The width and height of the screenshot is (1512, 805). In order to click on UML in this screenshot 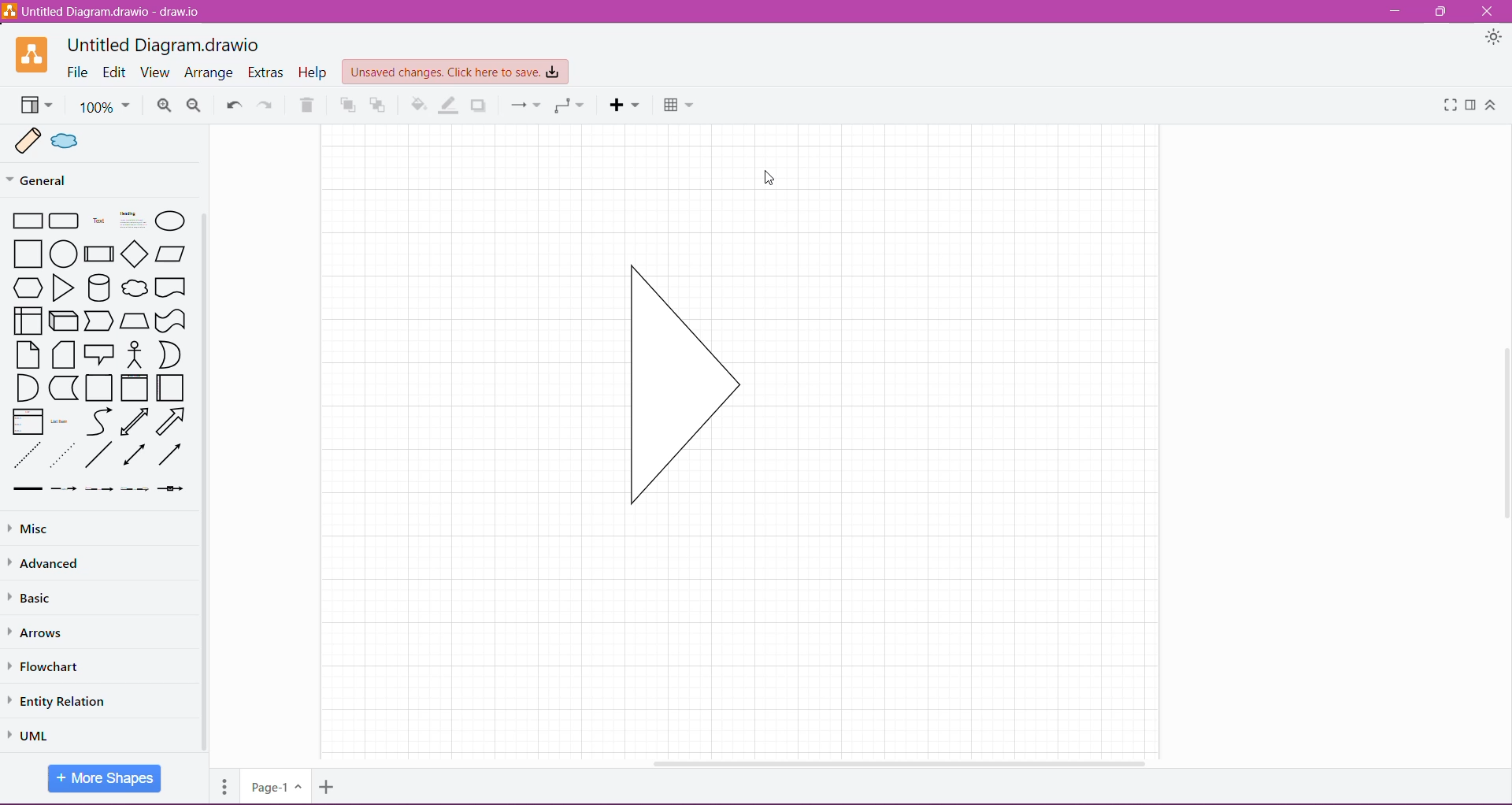, I will do `click(31, 733)`.